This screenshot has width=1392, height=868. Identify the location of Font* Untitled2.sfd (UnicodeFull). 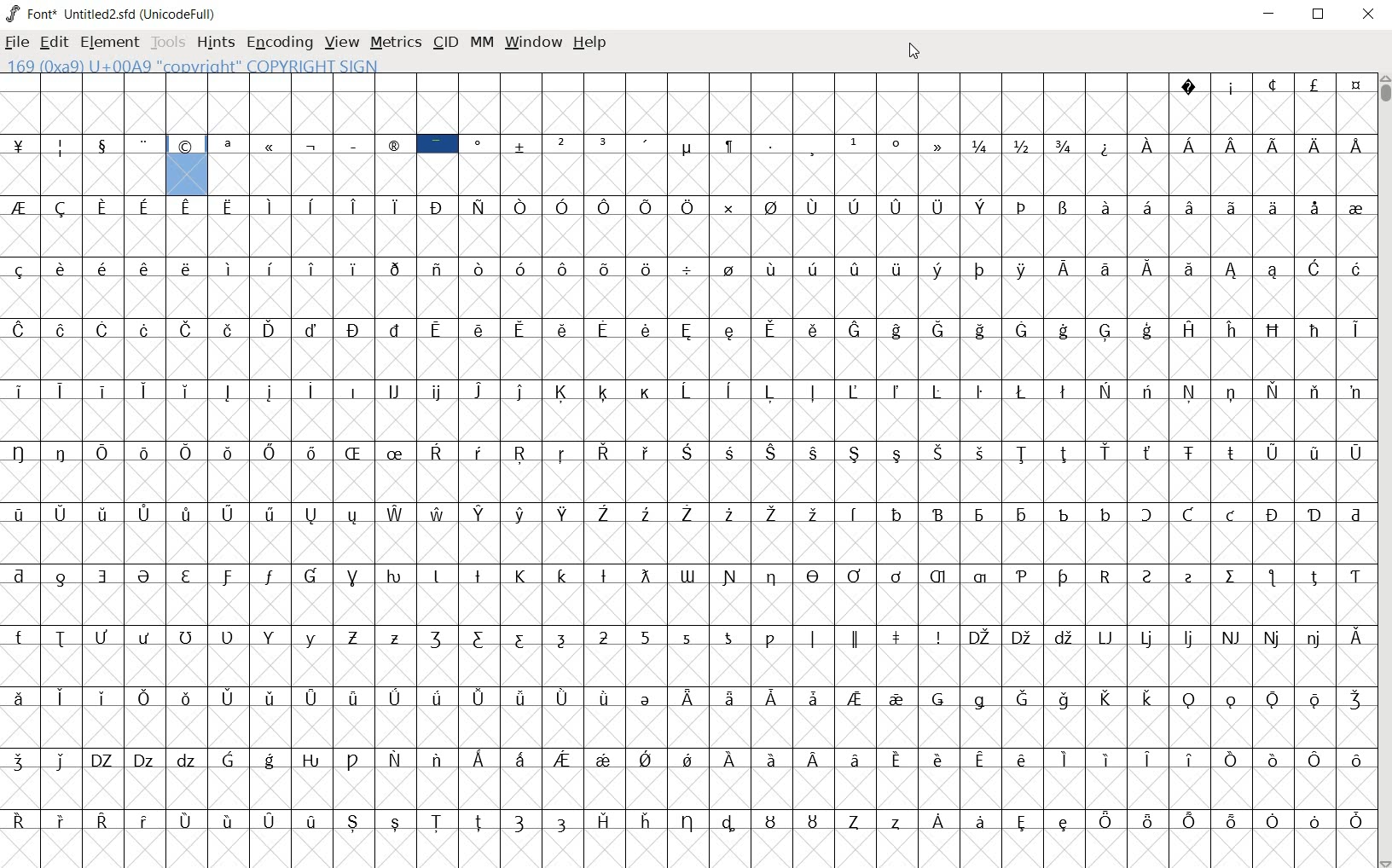
(113, 14).